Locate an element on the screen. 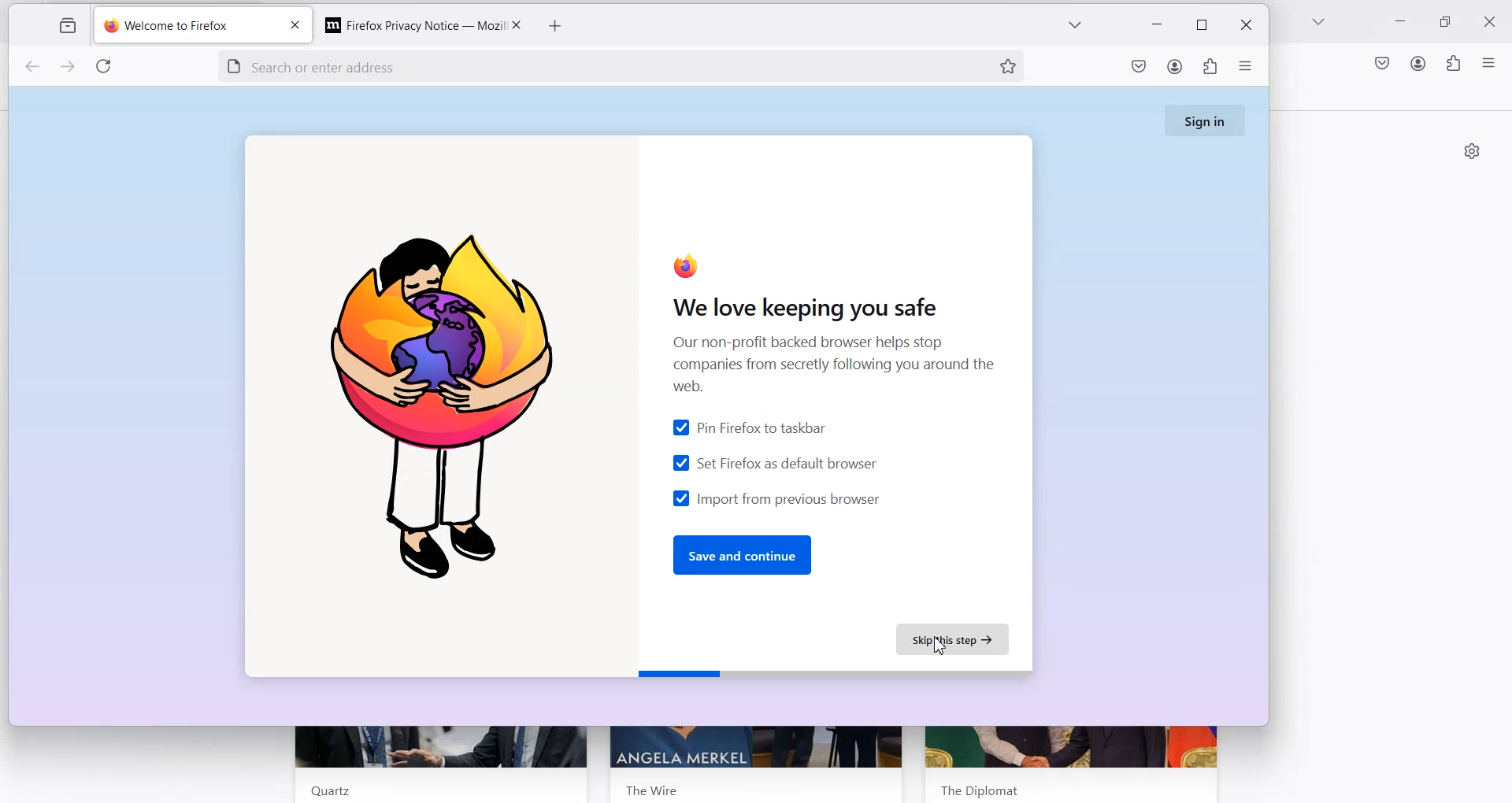 The width and height of the screenshot is (1512, 803). view recent browsing is located at coordinates (65, 27).